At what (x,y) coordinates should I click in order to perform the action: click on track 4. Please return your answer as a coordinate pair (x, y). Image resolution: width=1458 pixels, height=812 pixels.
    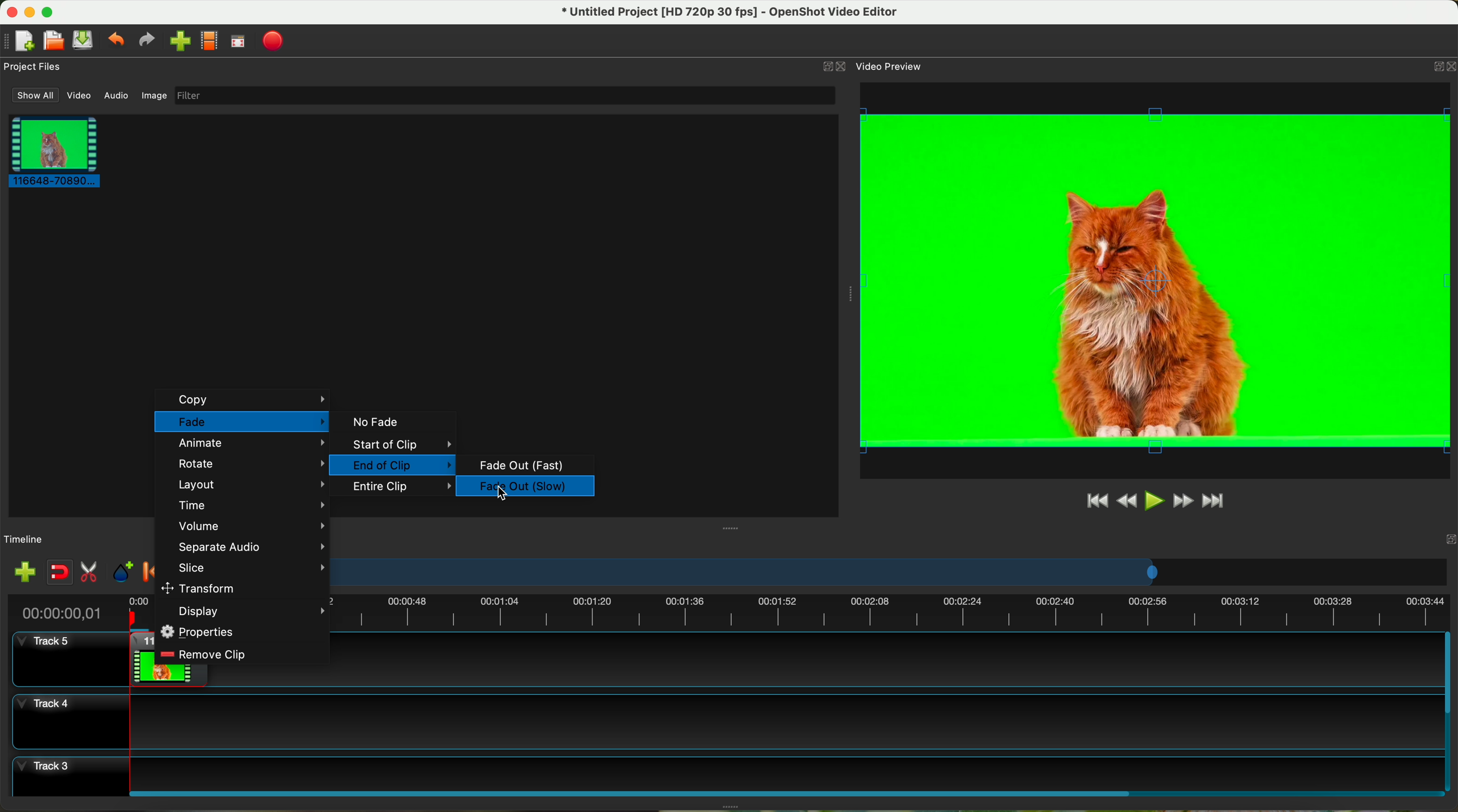
    Looking at the image, I should click on (725, 721).